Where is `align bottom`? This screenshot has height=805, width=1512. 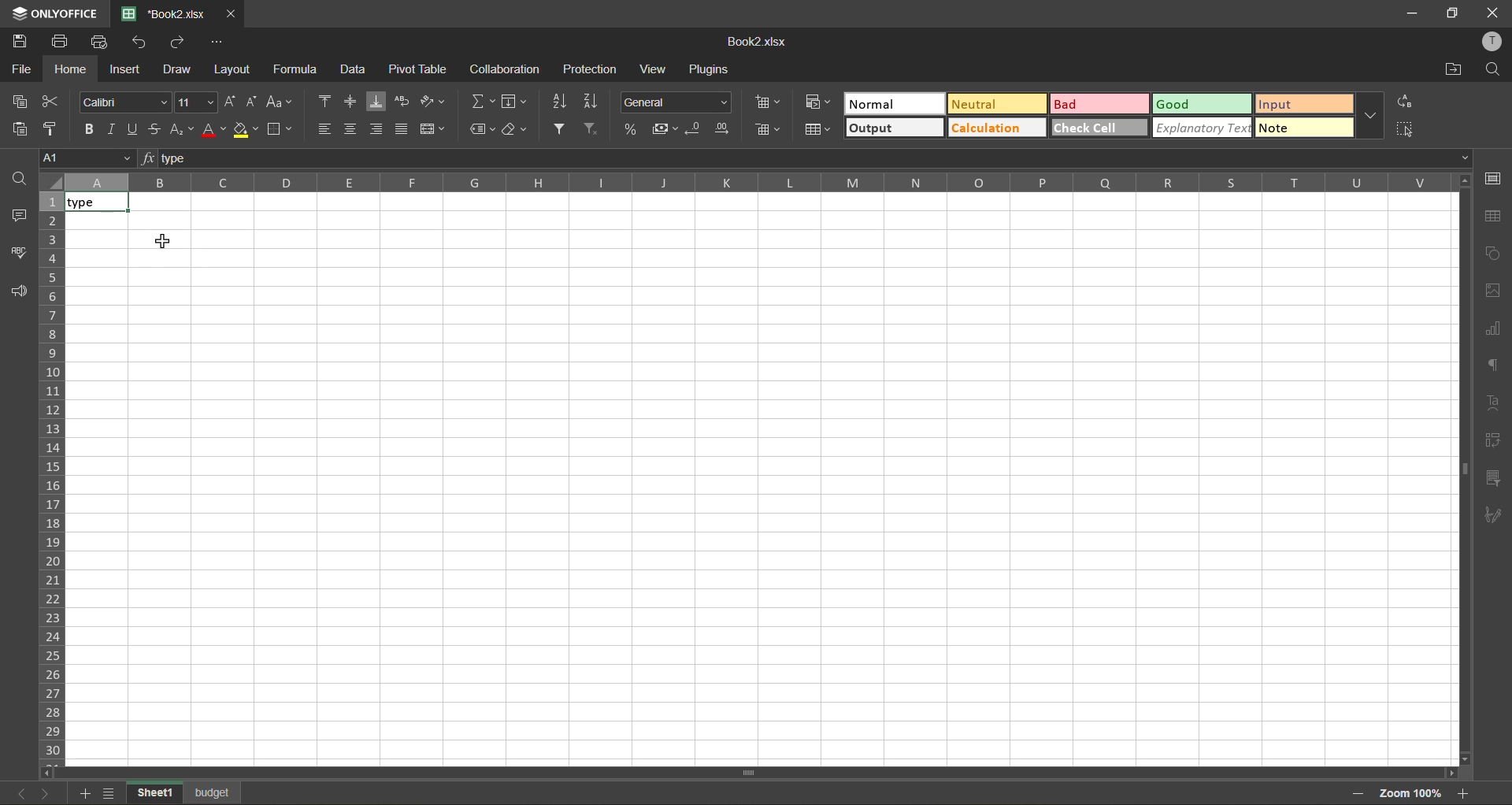 align bottom is located at coordinates (375, 101).